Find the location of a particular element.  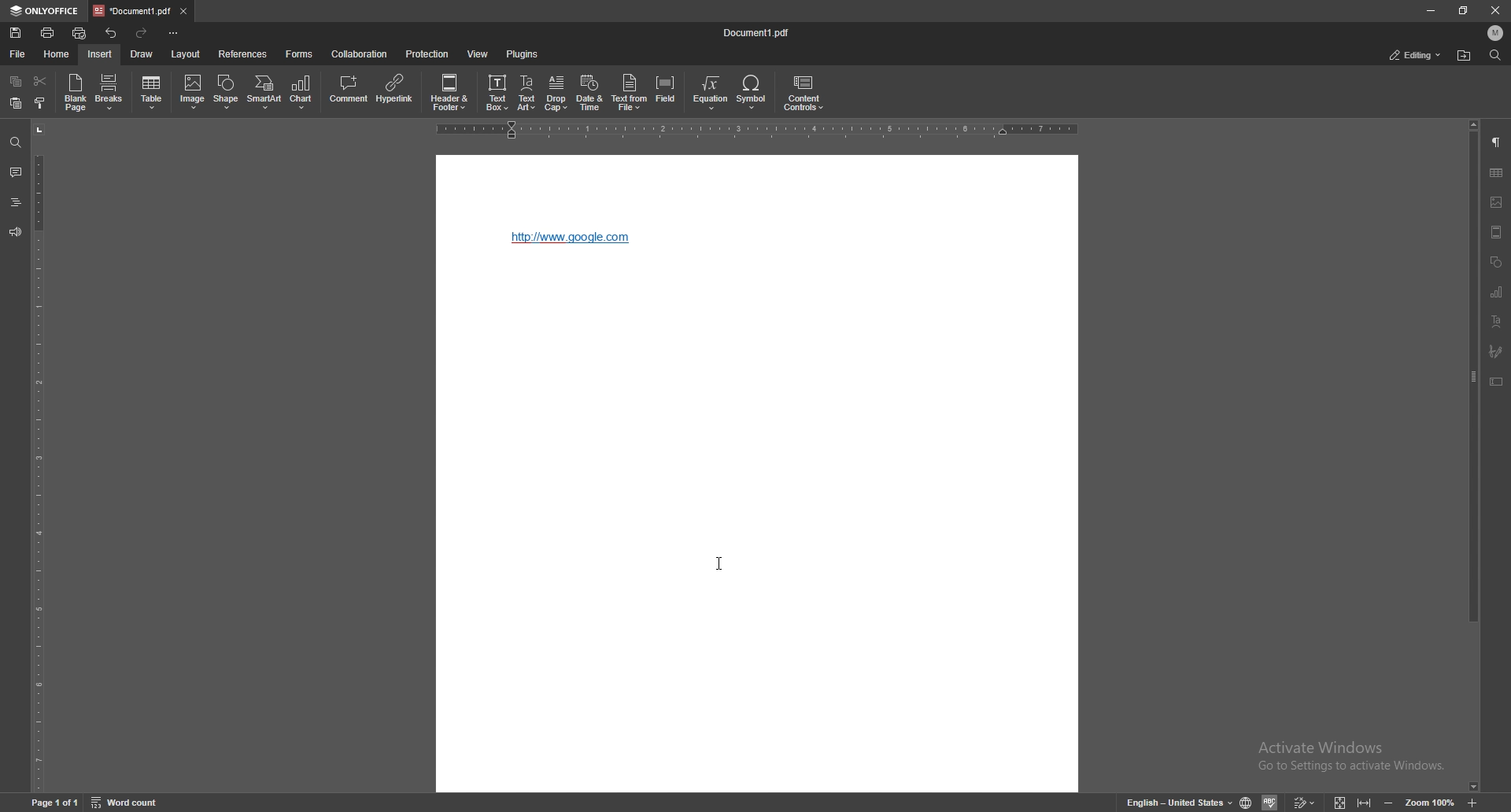

zoom is located at coordinates (1429, 802).